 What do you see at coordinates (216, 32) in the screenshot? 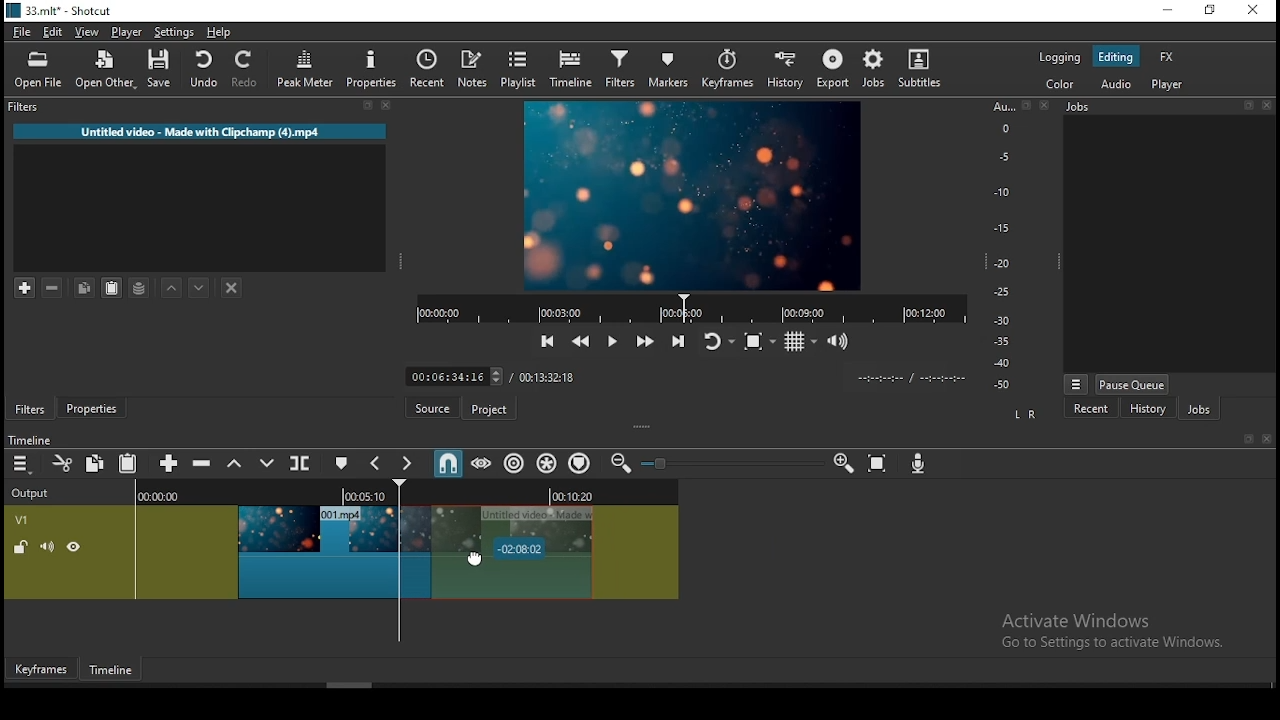
I see `help` at bounding box center [216, 32].